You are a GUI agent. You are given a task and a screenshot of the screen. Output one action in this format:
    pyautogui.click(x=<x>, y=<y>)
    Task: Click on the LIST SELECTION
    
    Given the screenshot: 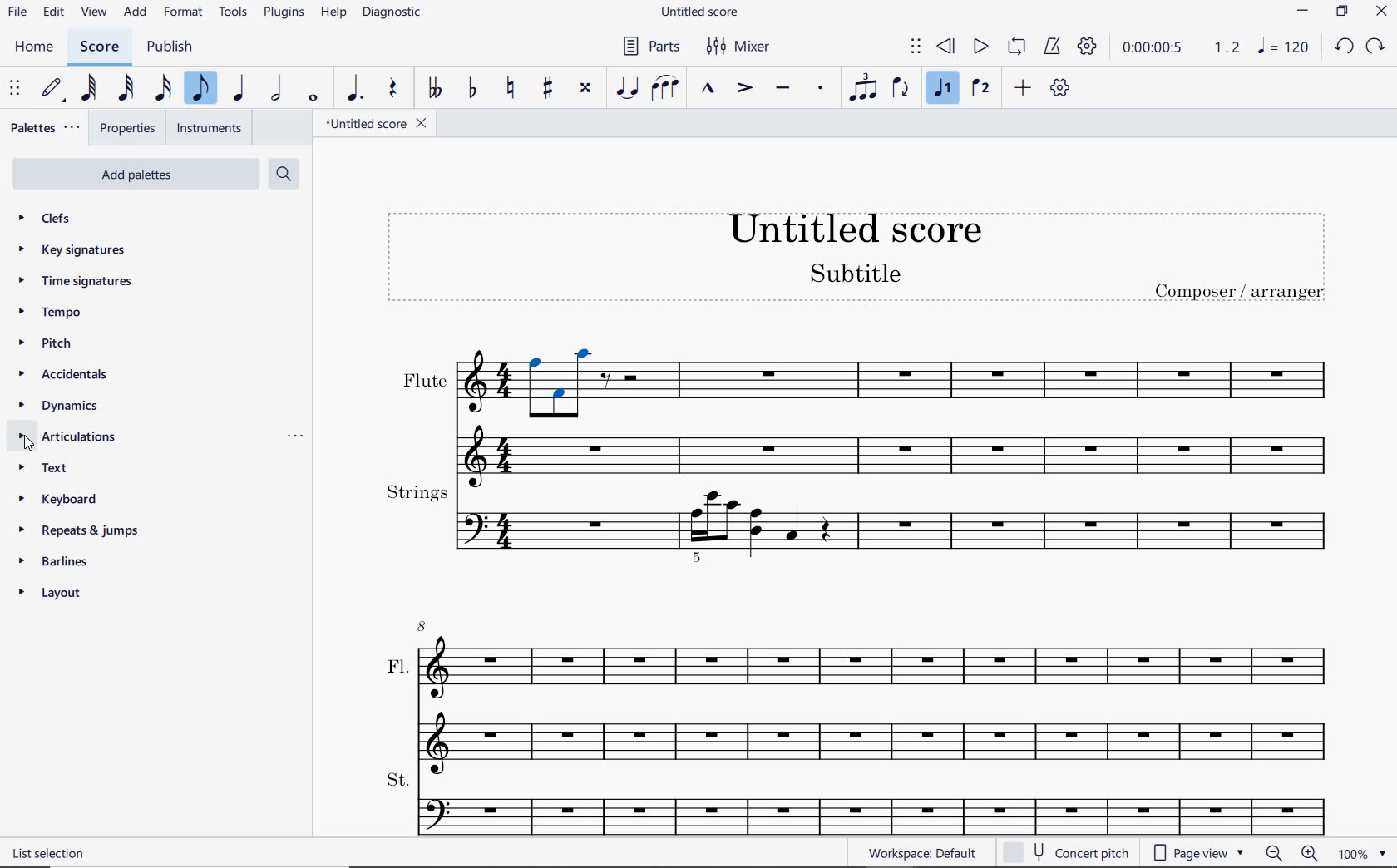 What is the action you would take?
    pyautogui.click(x=52, y=853)
    